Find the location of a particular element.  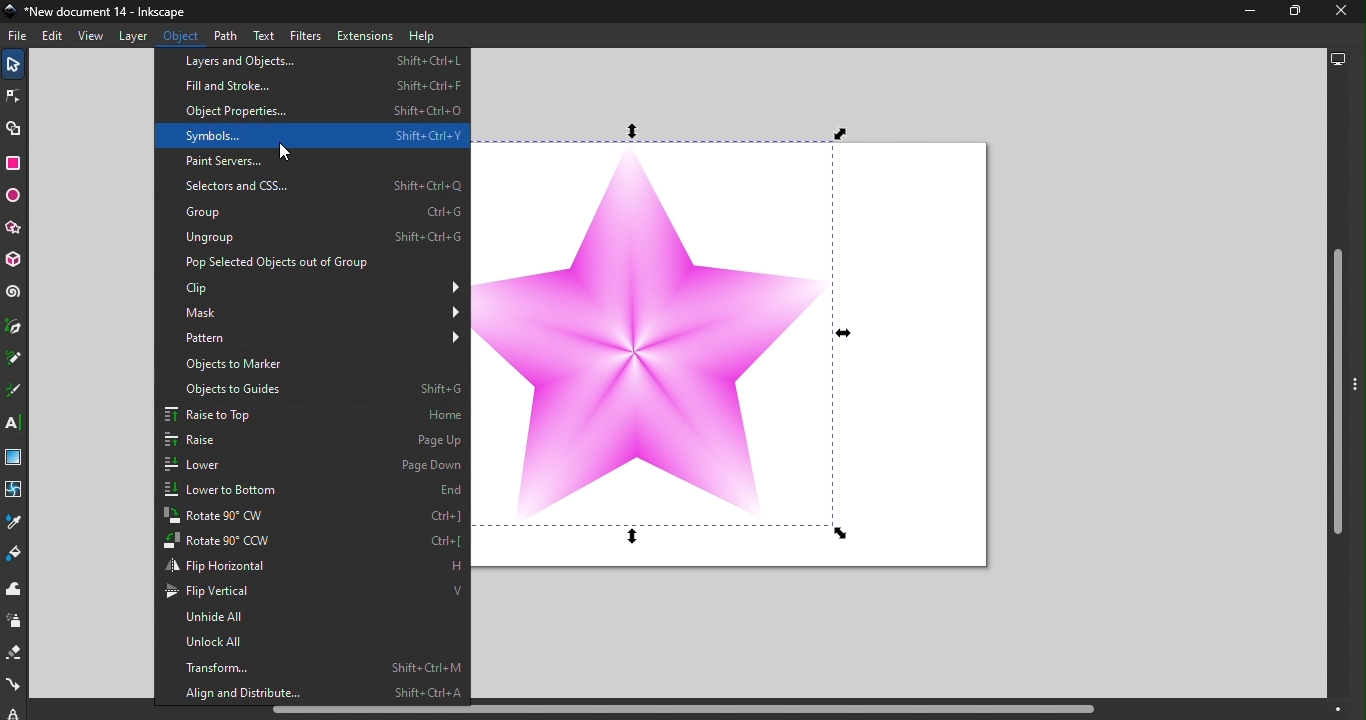

Filters is located at coordinates (307, 35).